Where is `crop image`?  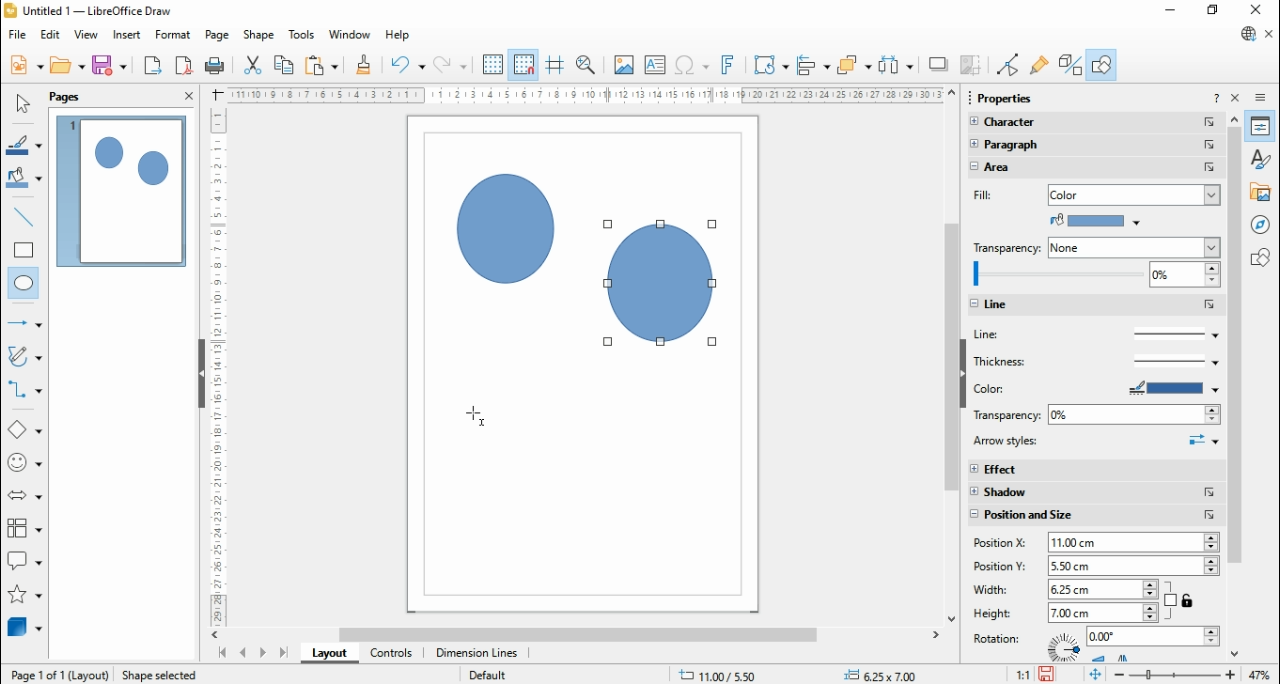
crop image is located at coordinates (973, 65).